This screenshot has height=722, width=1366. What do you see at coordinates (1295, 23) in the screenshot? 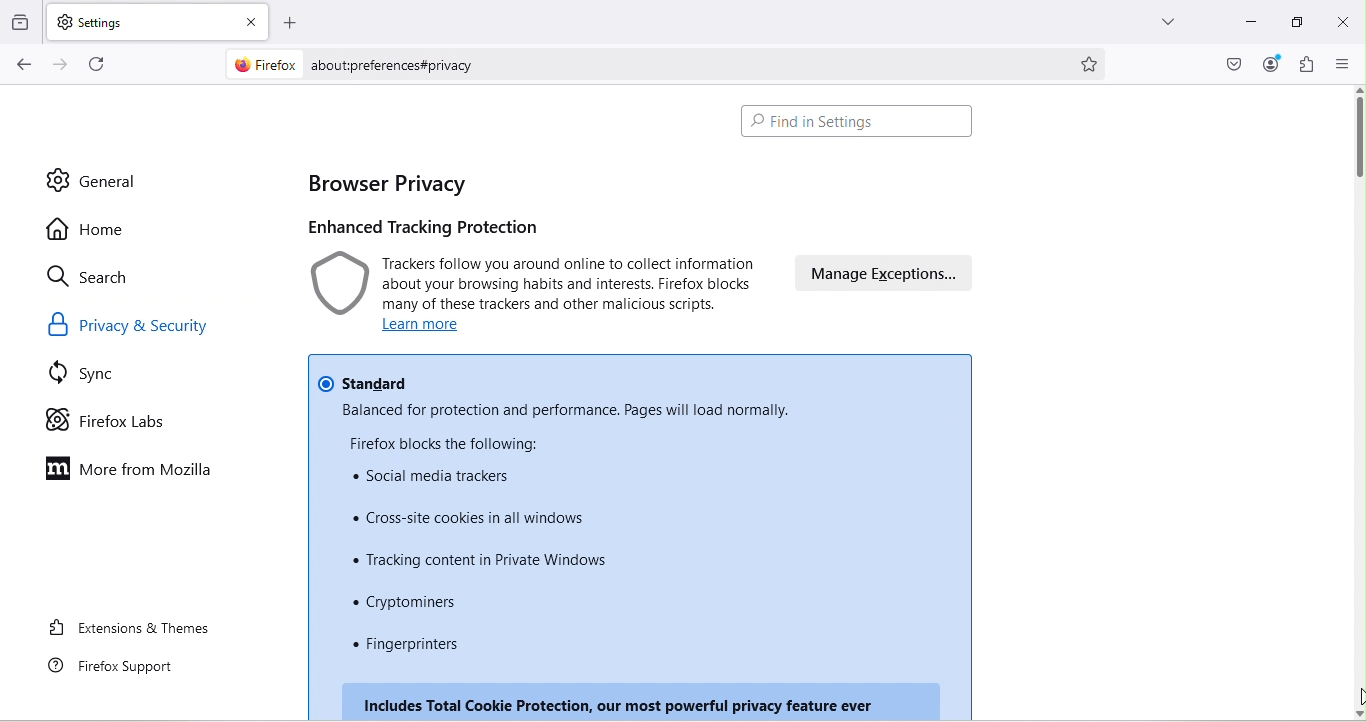
I see `Maximize` at bounding box center [1295, 23].